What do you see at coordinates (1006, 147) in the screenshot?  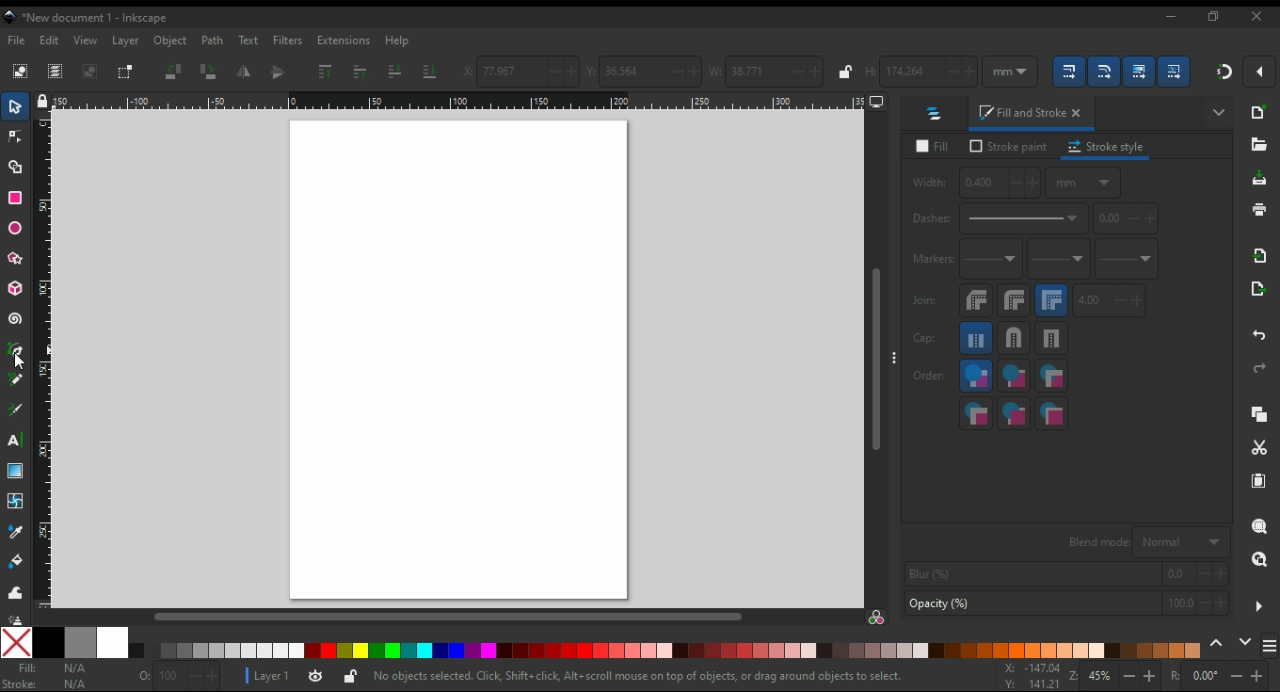 I see `stroke paint` at bounding box center [1006, 147].